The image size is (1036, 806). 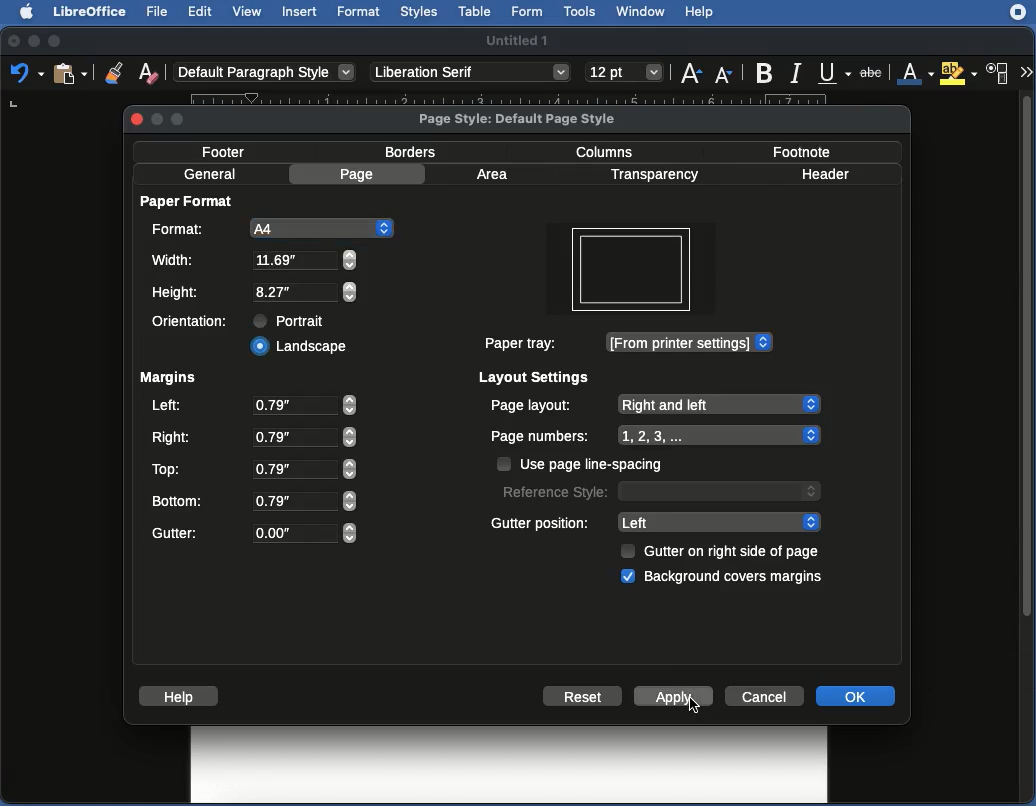 I want to click on undo, so click(x=23, y=77).